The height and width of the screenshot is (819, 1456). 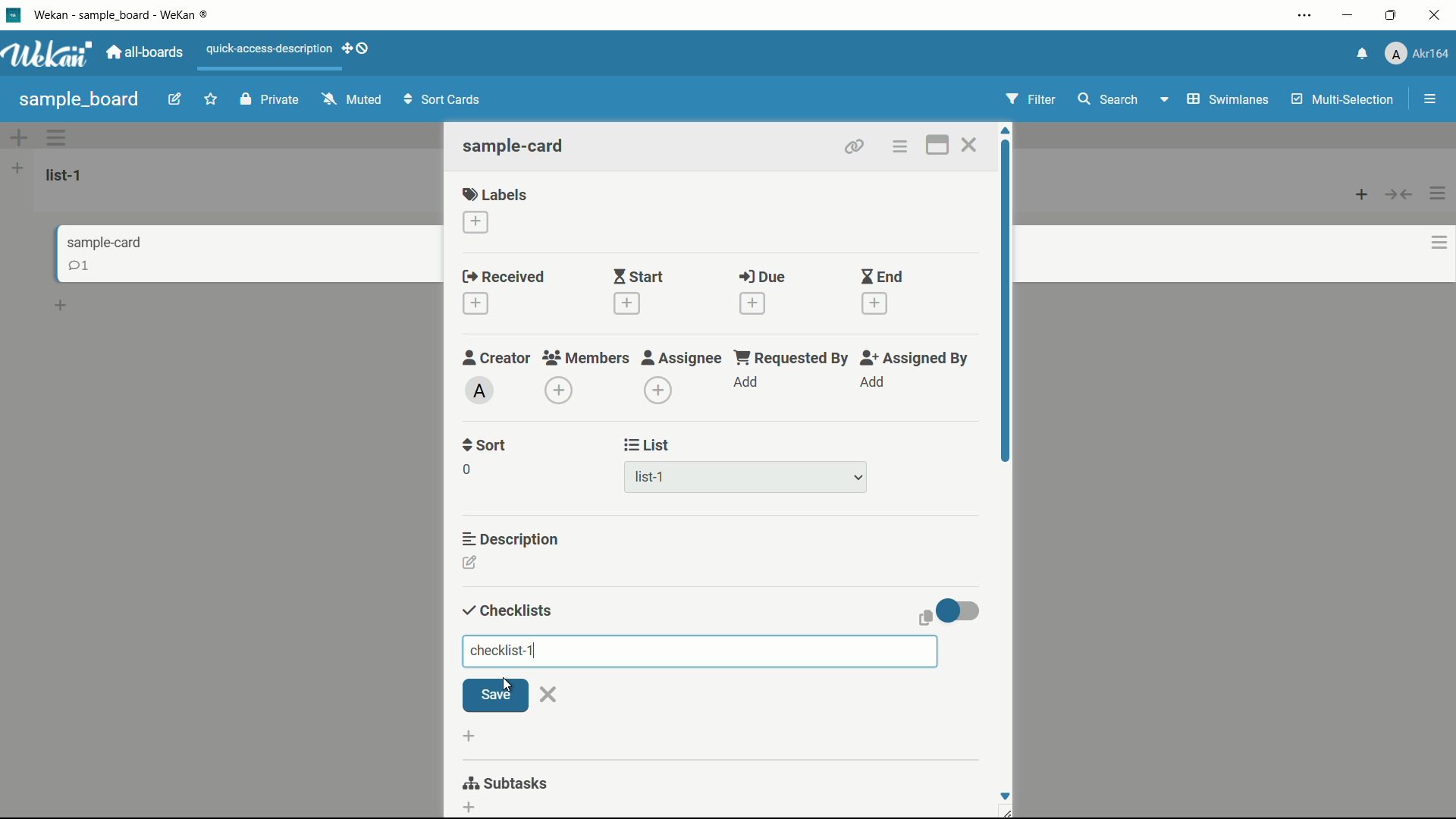 What do you see at coordinates (882, 277) in the screenshot?
I see `end` at bounding box center [882, 277].